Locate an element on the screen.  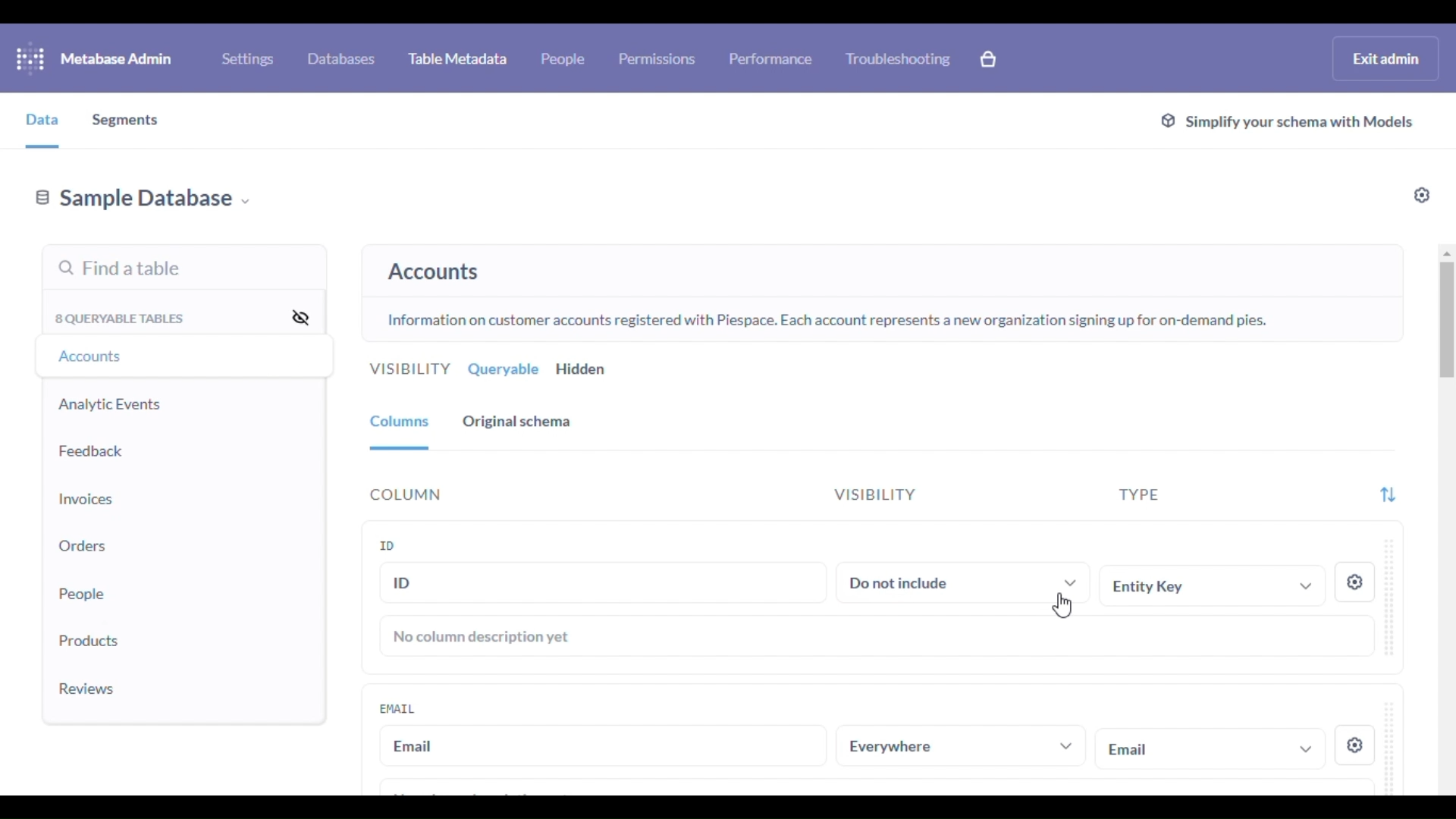
settings is located at coordinates (1423, 195).